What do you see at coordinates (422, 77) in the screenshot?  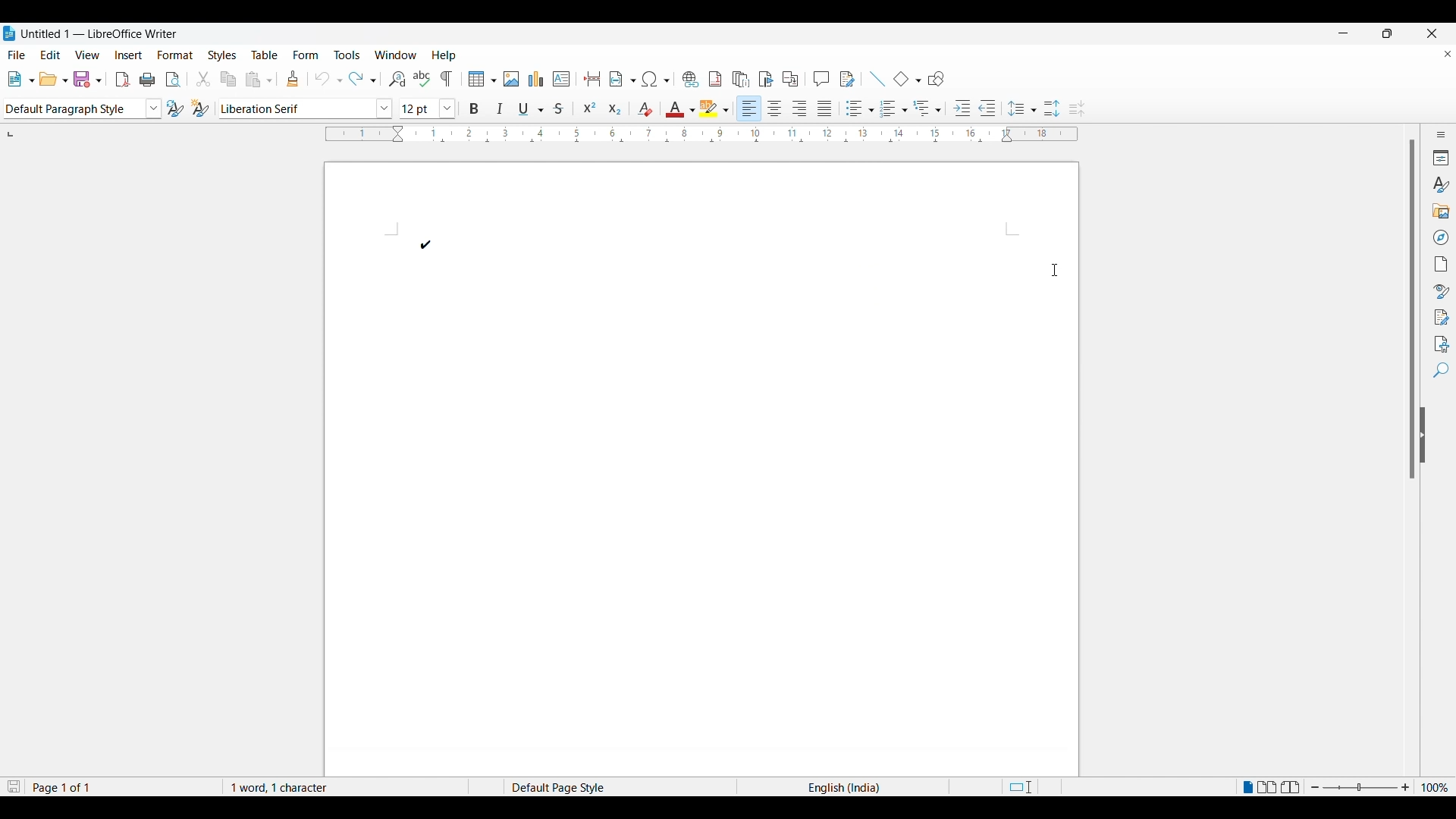 I see `spell check` at bounding box center [422, 77].